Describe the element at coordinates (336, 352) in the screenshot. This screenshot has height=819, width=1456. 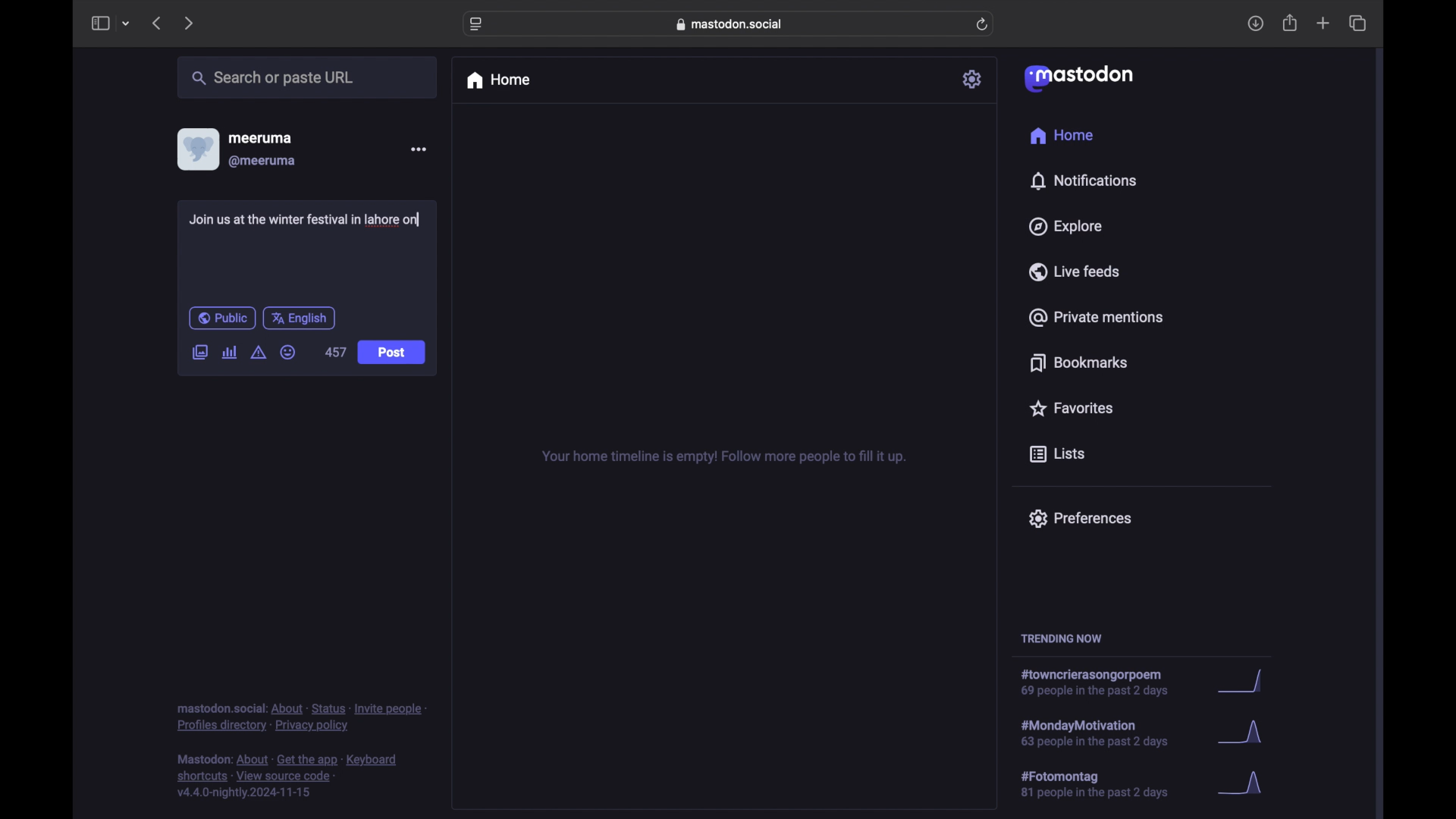
I see `457` at that location.